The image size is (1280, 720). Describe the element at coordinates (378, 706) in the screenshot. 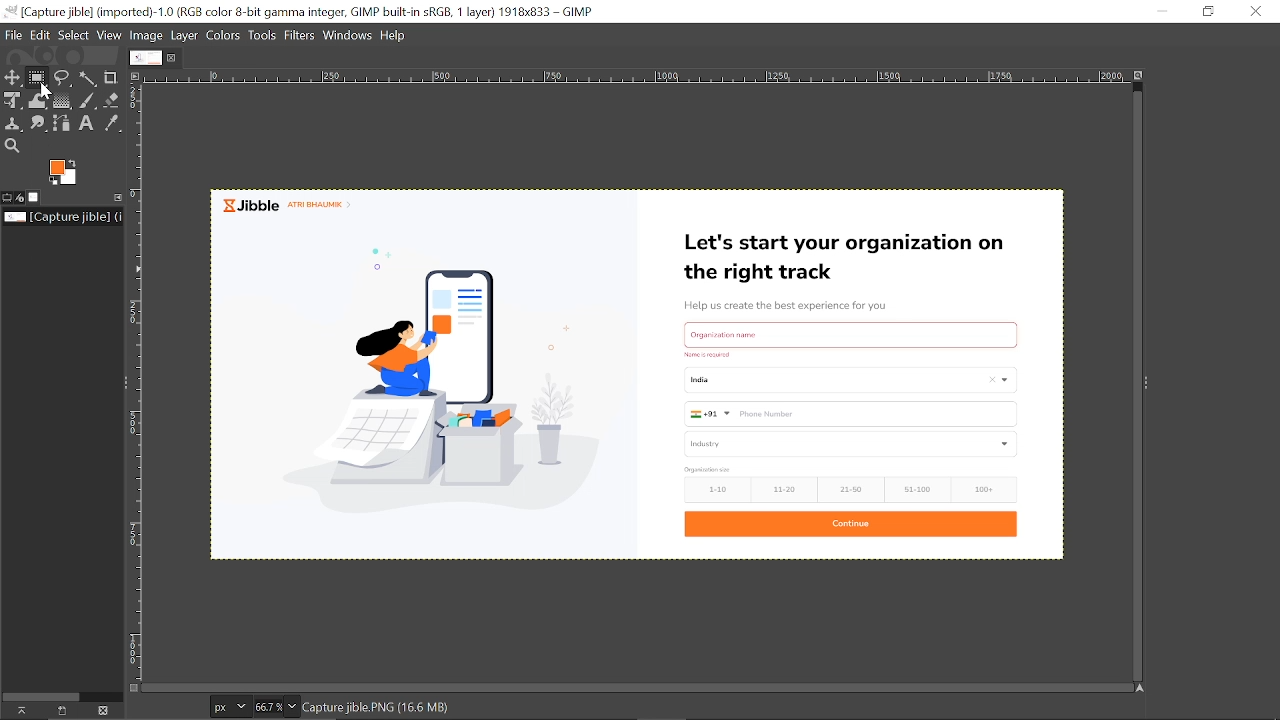

I see `Capture jible. PNG (16.6 MB)` at that location.